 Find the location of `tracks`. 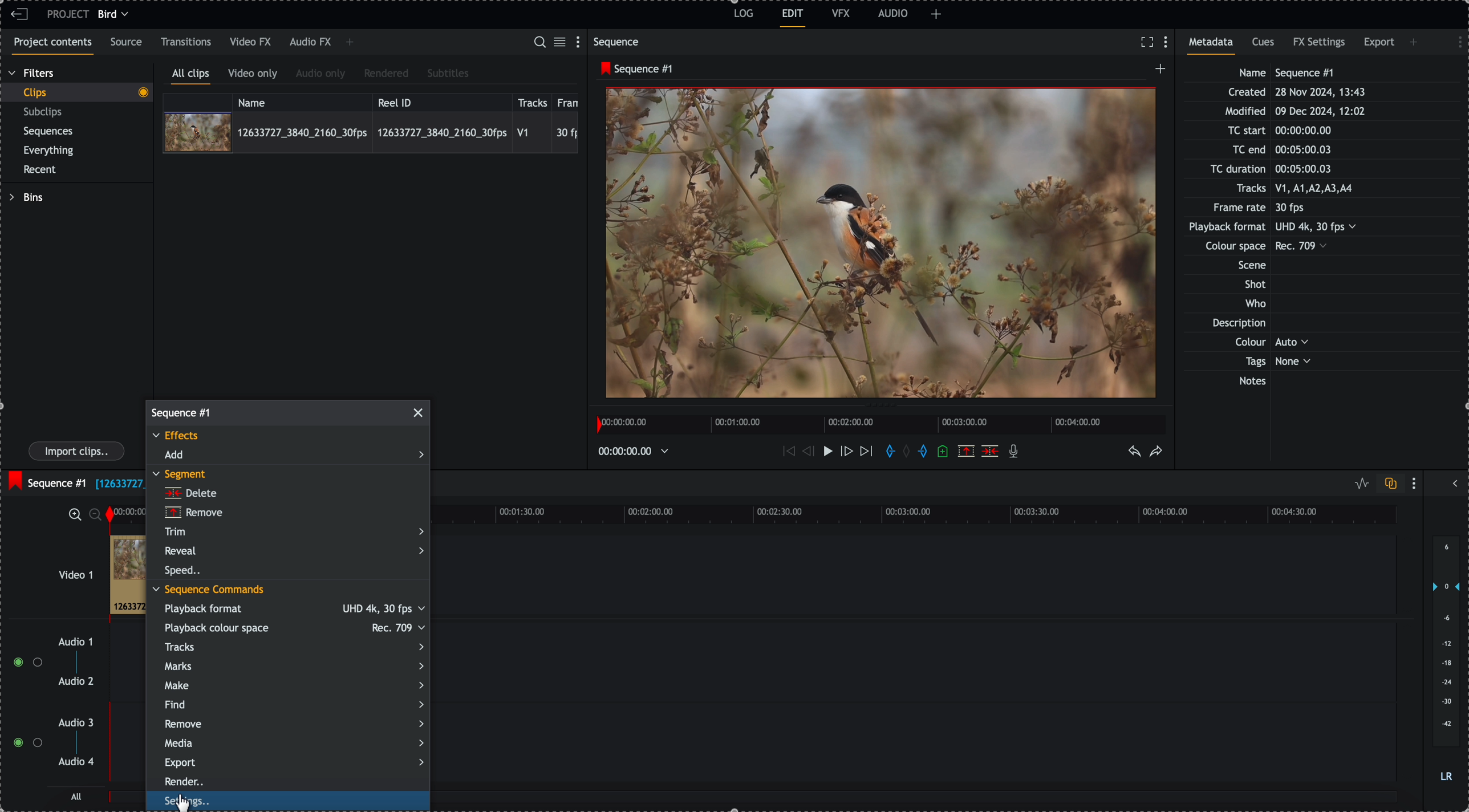

tracks is located at coordinates (533, 101).